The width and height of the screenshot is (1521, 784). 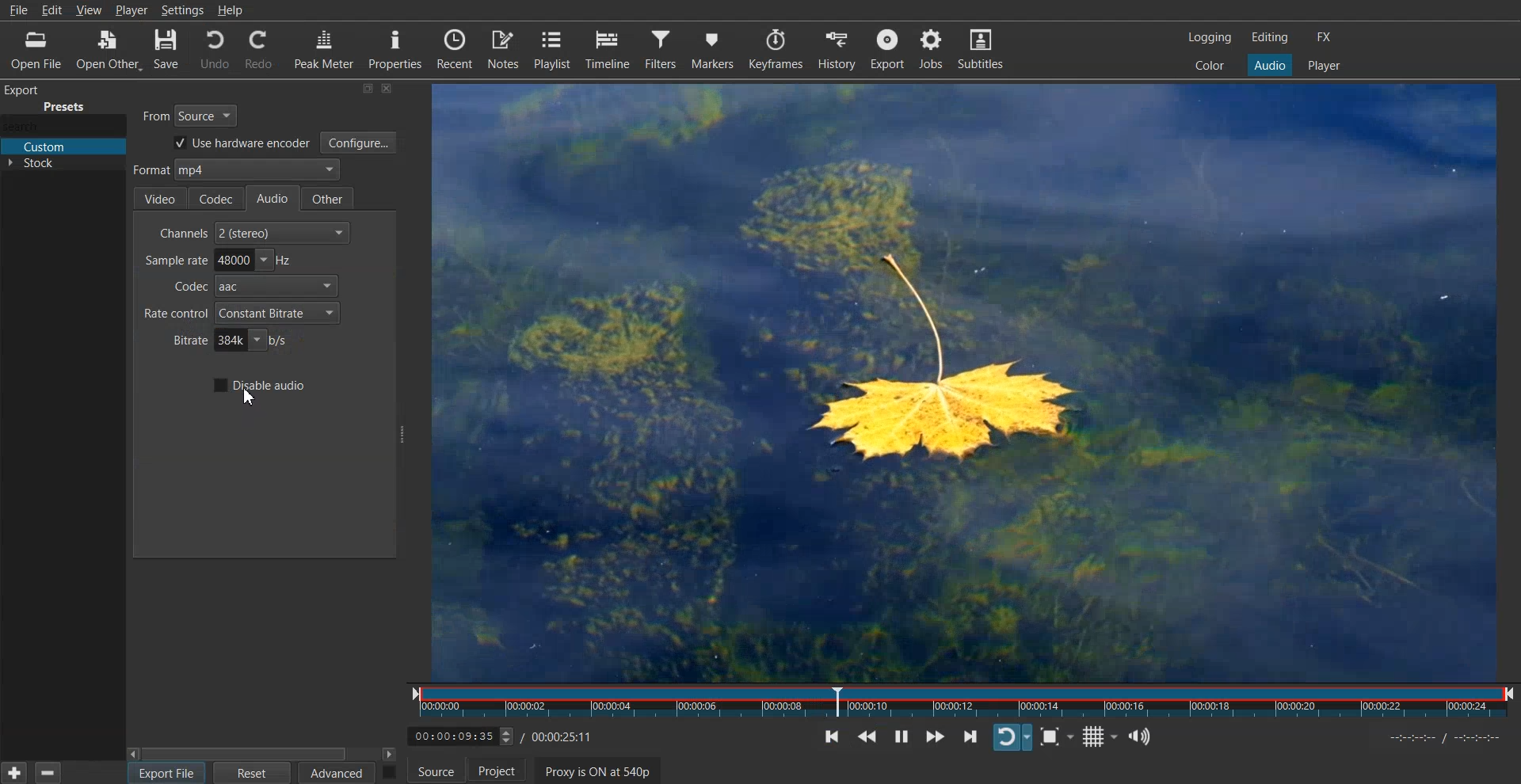 What do you see at coordinates (395, 49) in the screenshot?
I see `Properties` at bounding box center [395, 49].